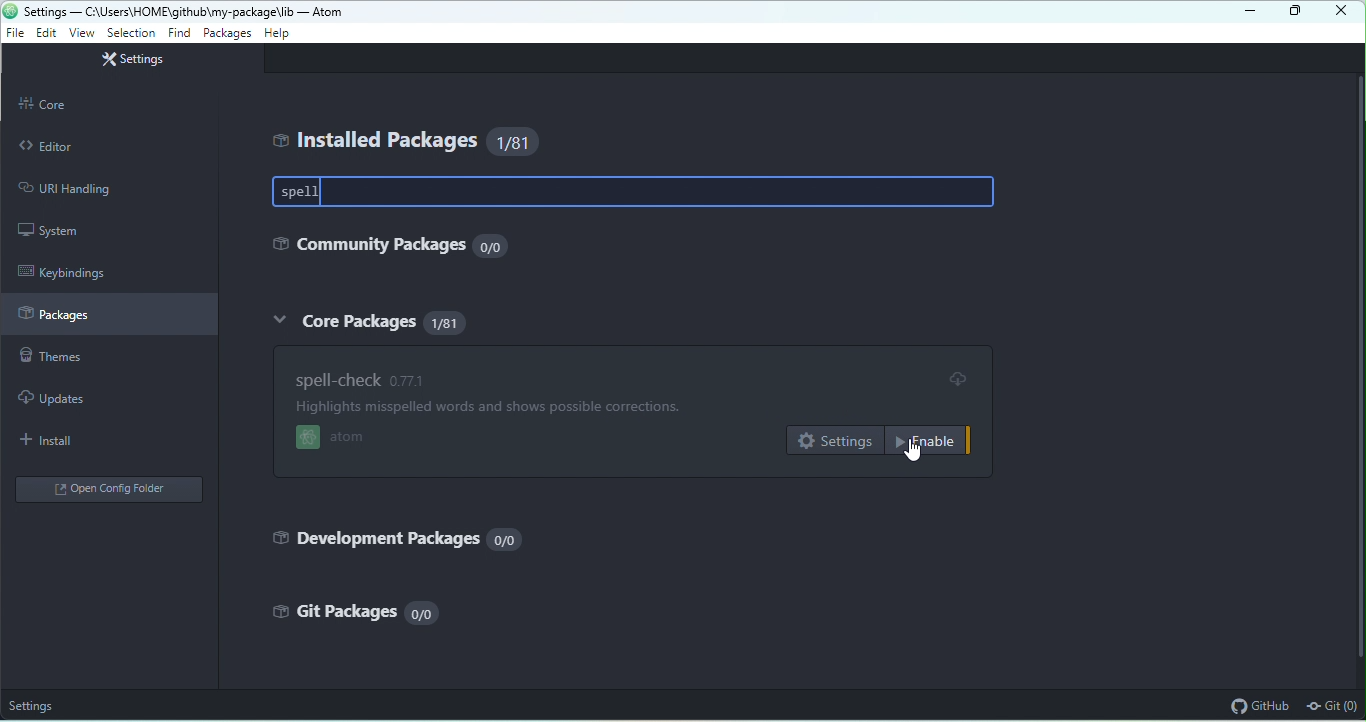  What do you see at coordinates (367, 383) in the screenshot?
I see `spell check 0.77.1` at bounding box center [367, 383].